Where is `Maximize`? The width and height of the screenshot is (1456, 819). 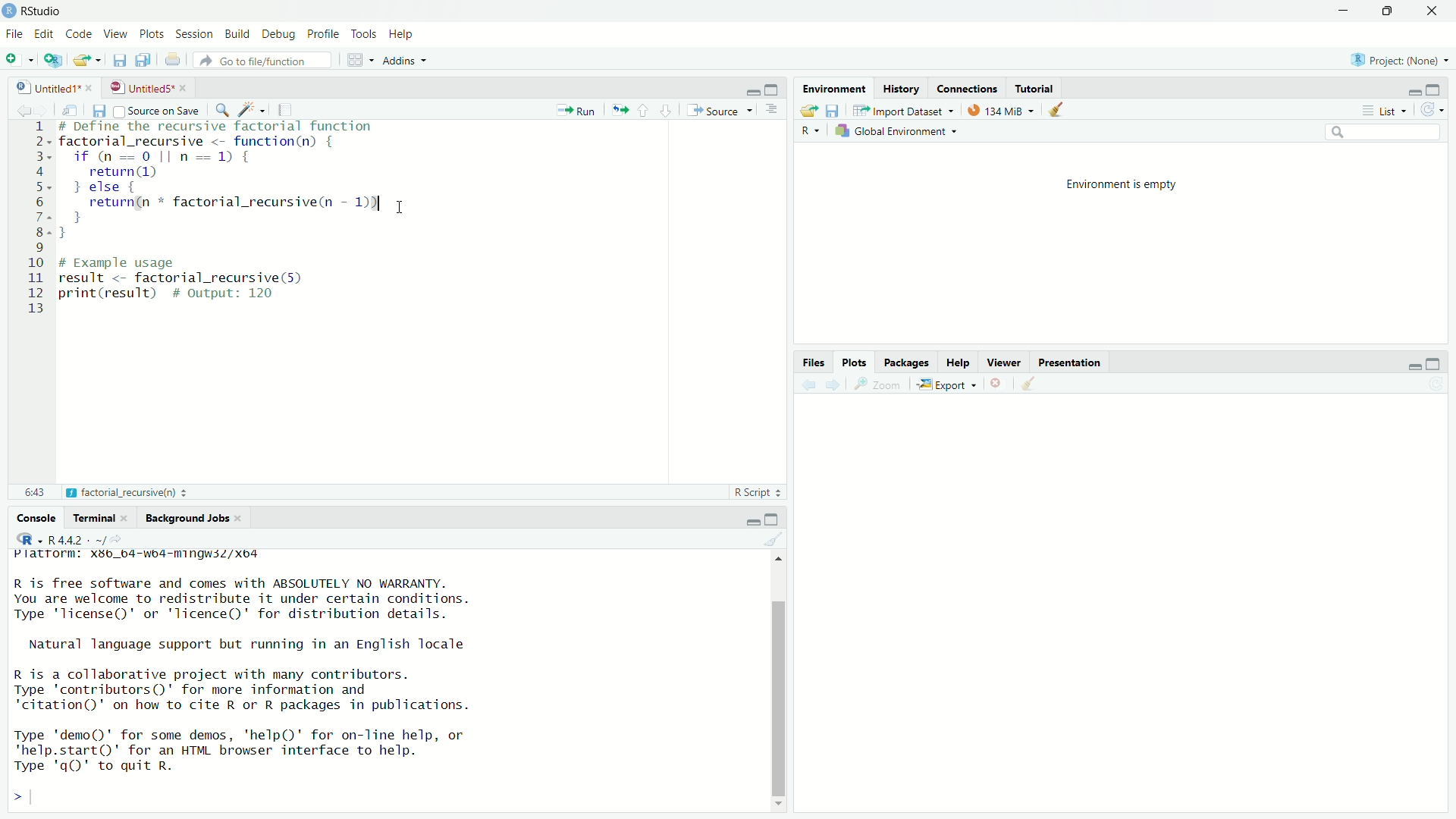 Maximize is located at coordinates (1434, 365).